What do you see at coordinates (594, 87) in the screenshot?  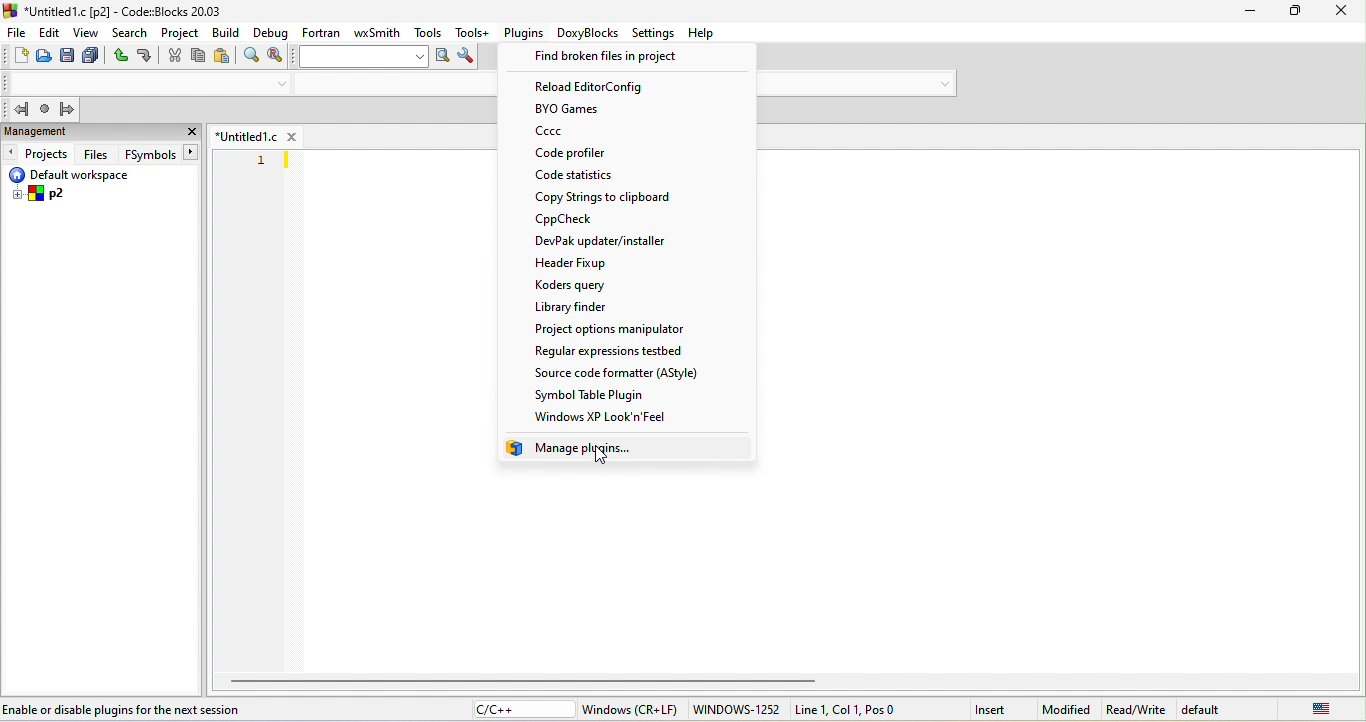 I see `reload editor config` at bounding box center [594, 87].